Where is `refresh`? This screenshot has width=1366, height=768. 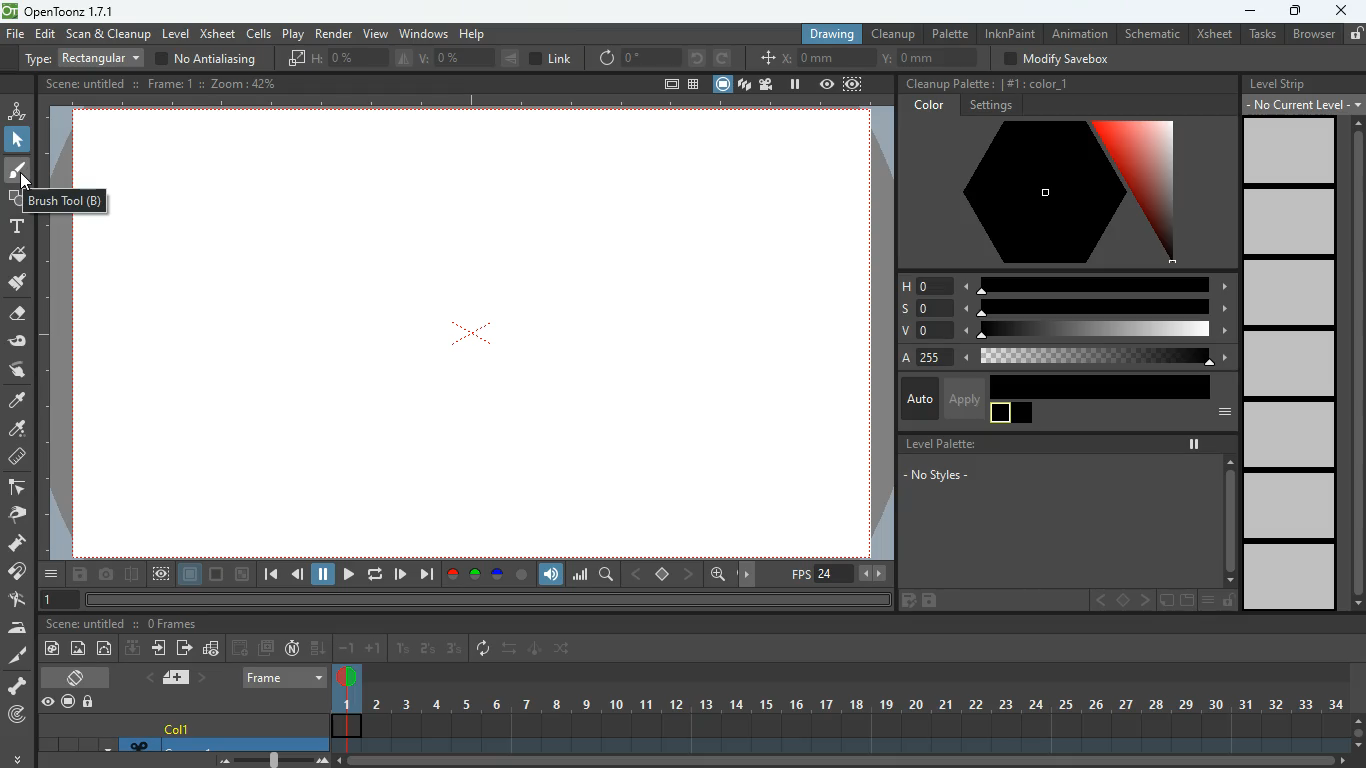 refresh is located at coordinates (487, 649).